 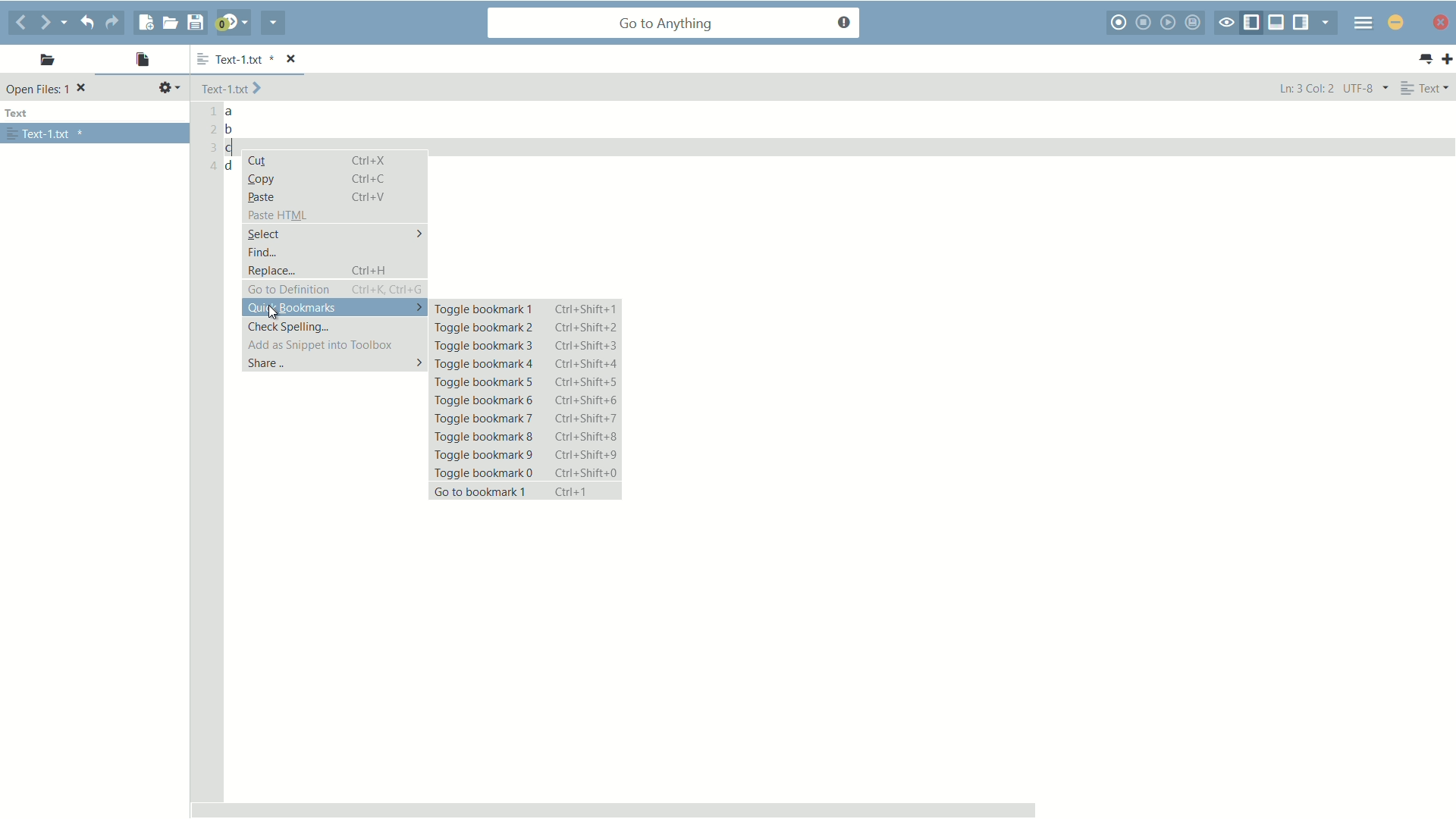 What do you see at coordinates (526, 399) in the screenshot?
I see `toggle bookmark 6` at bounding box center [526, 399].